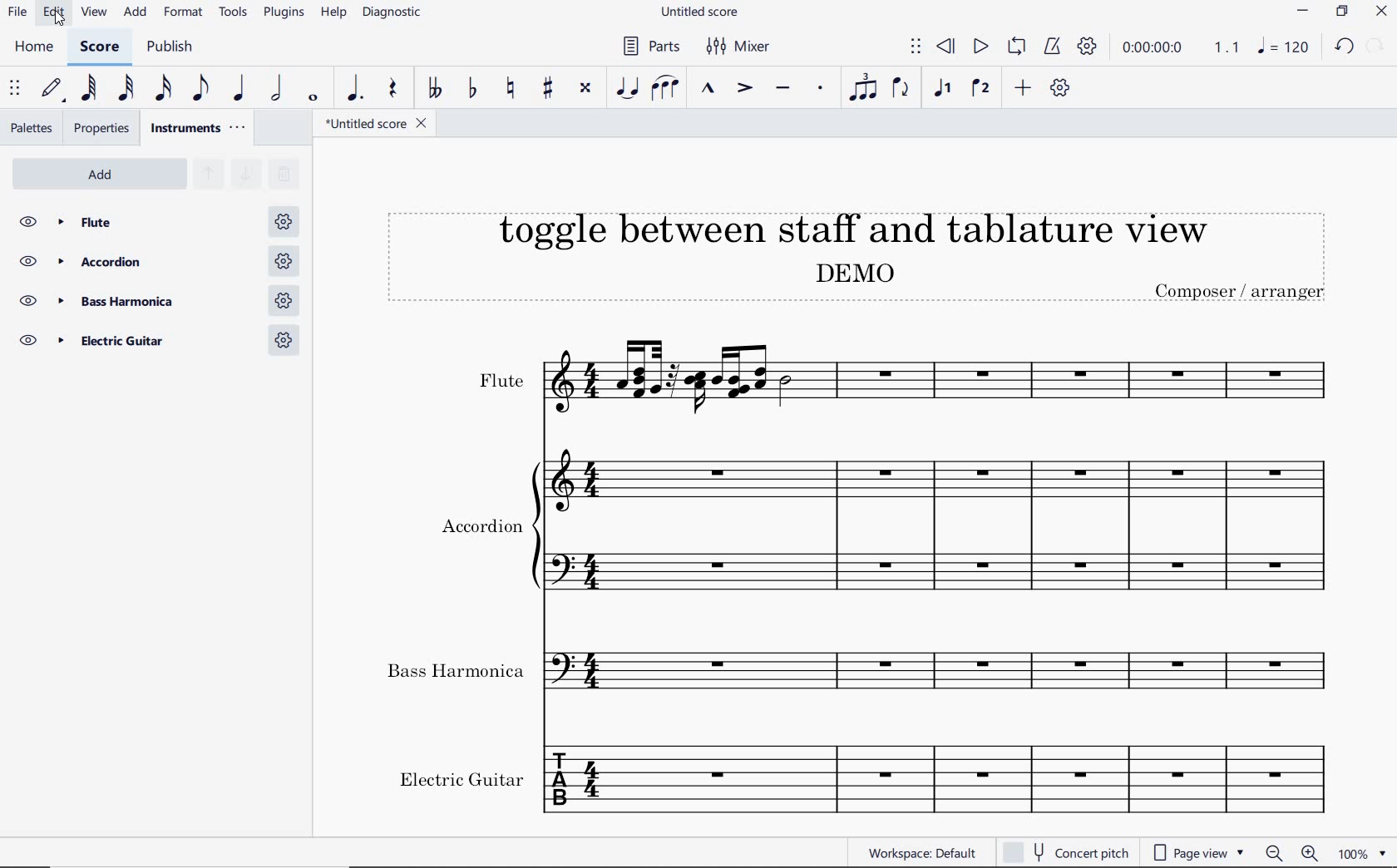  What do you see at coordinates (379, 126) in the screenshot?
I see `file name` at bounding box center [379, 126].